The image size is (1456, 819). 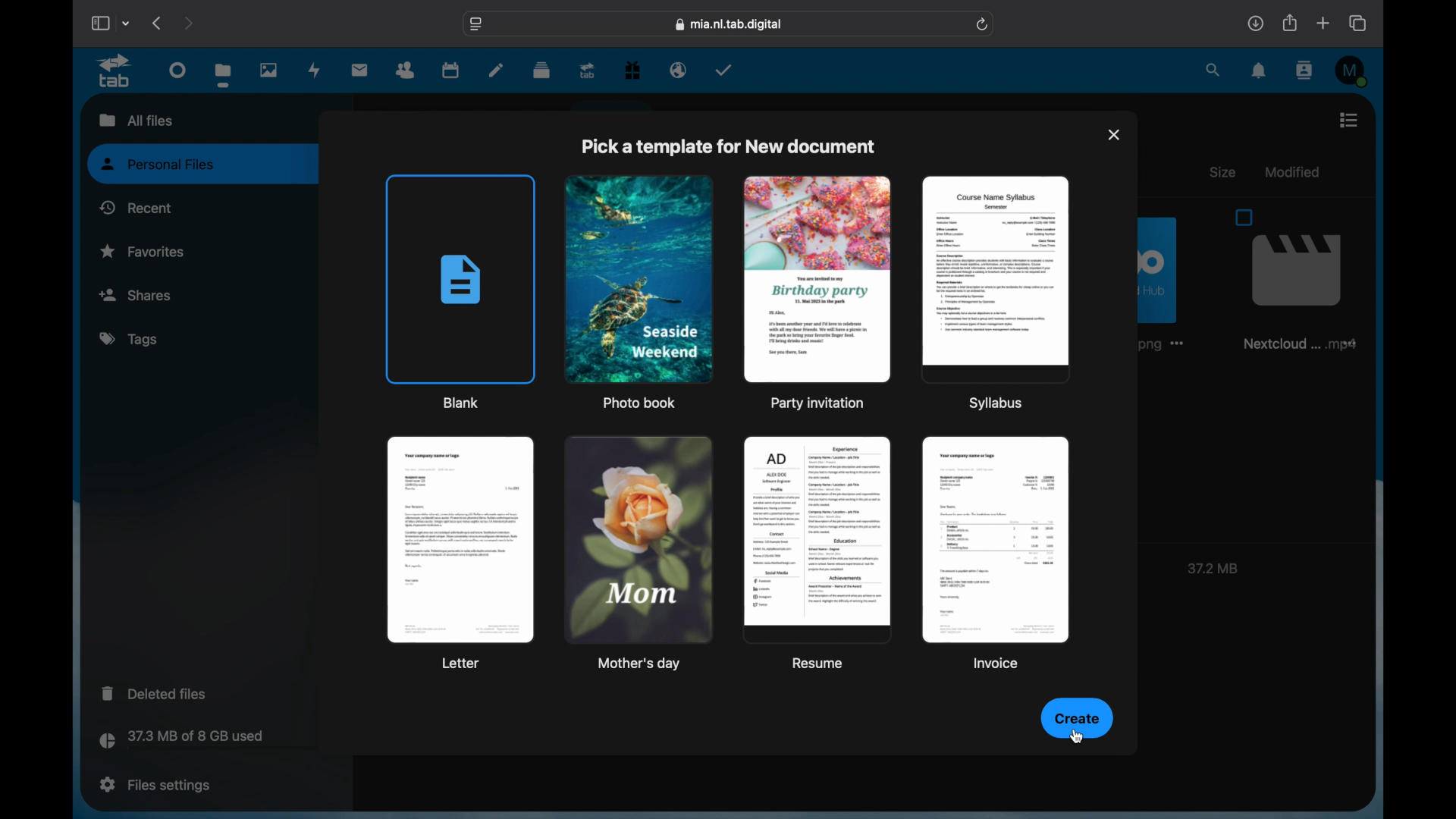 I want to click on calendar, so click(x=450, y=69).